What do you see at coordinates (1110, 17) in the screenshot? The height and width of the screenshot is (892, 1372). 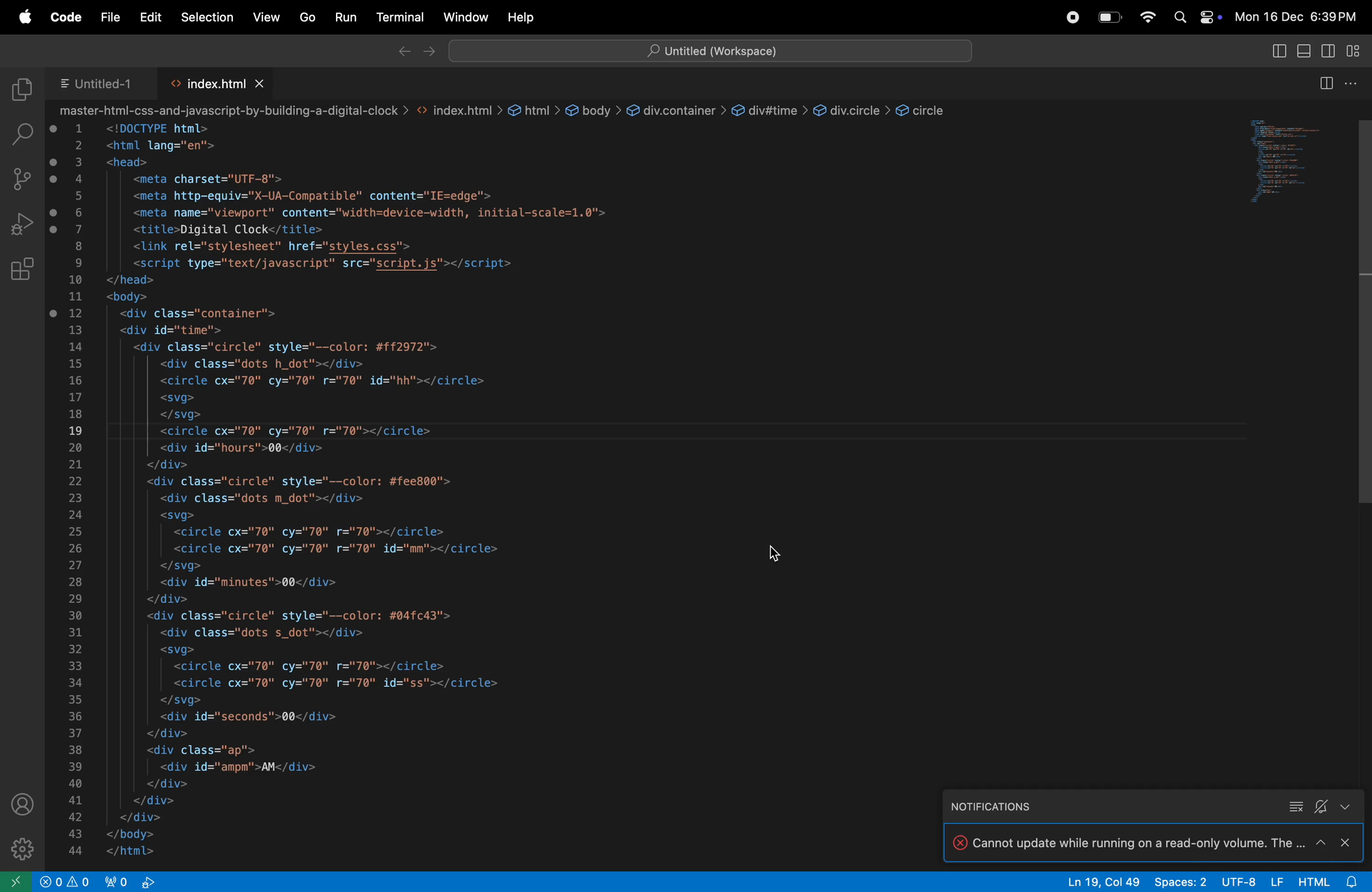 I see `battery` at bounding box center [1110, 17].